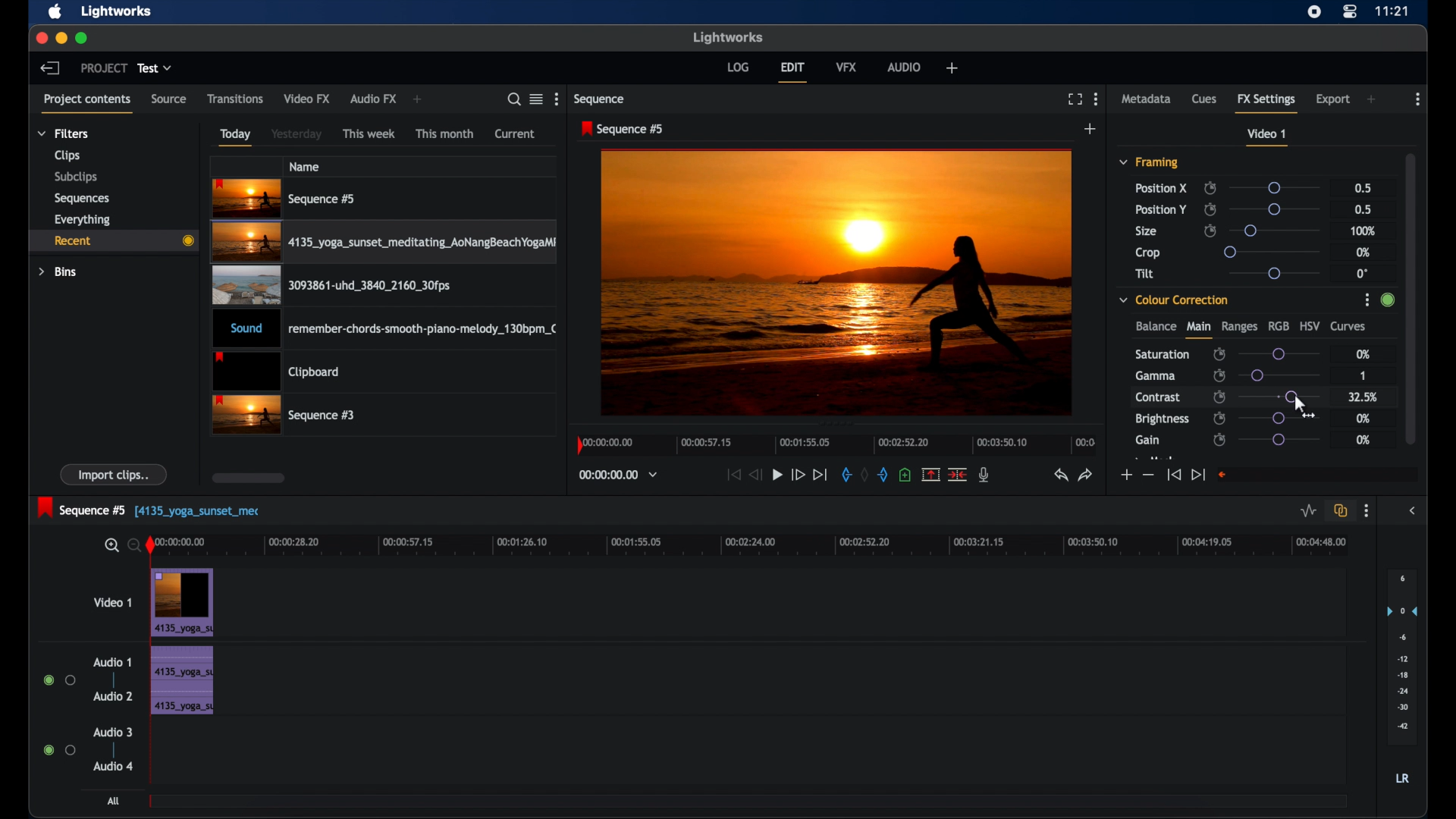 Image resolution: width=1456 pixels, height=819 pixels. I want to click on bins, so click(58, 272).